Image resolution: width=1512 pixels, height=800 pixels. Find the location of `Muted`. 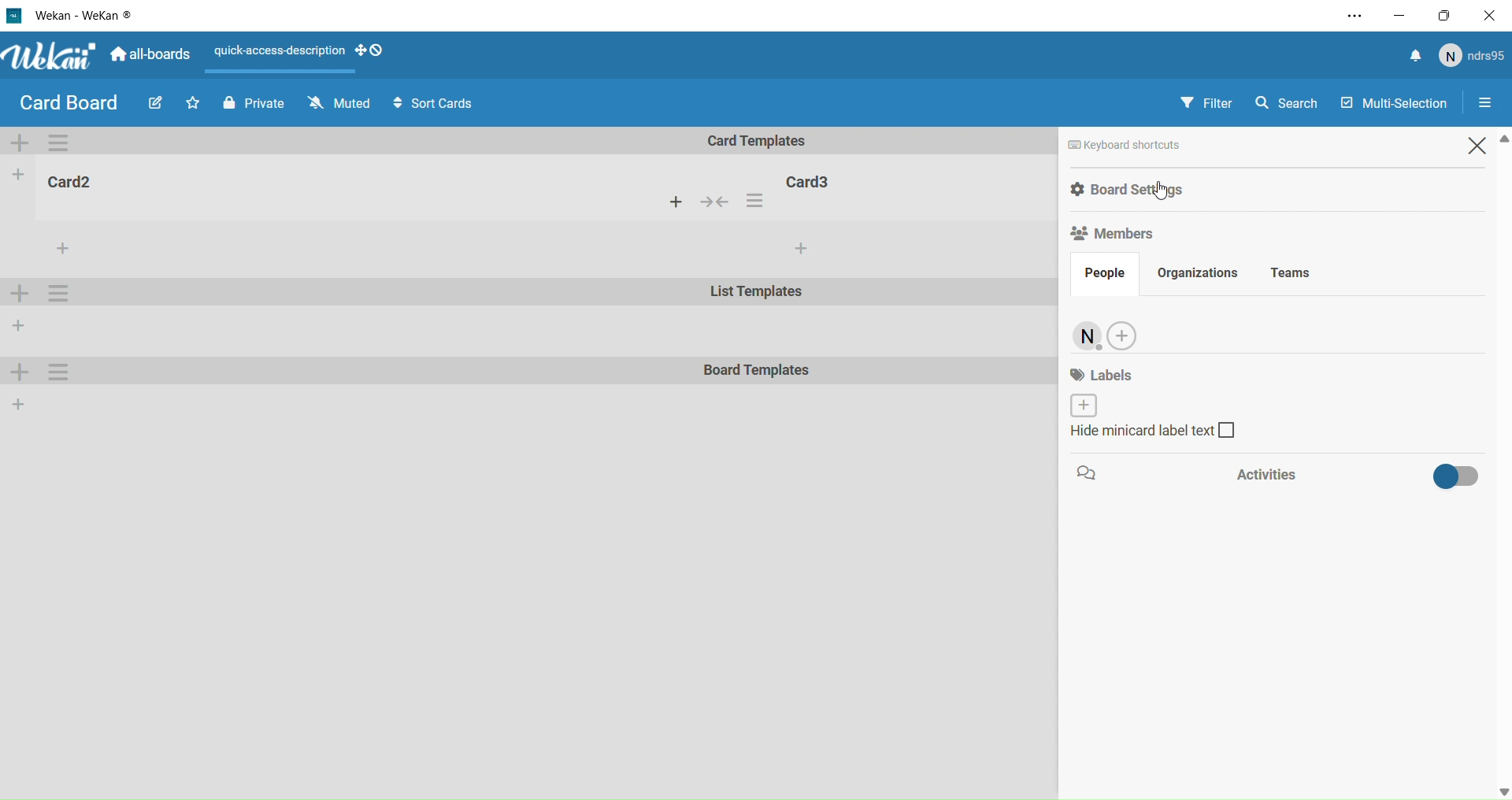

Muted is located at coordinates (337, 103).